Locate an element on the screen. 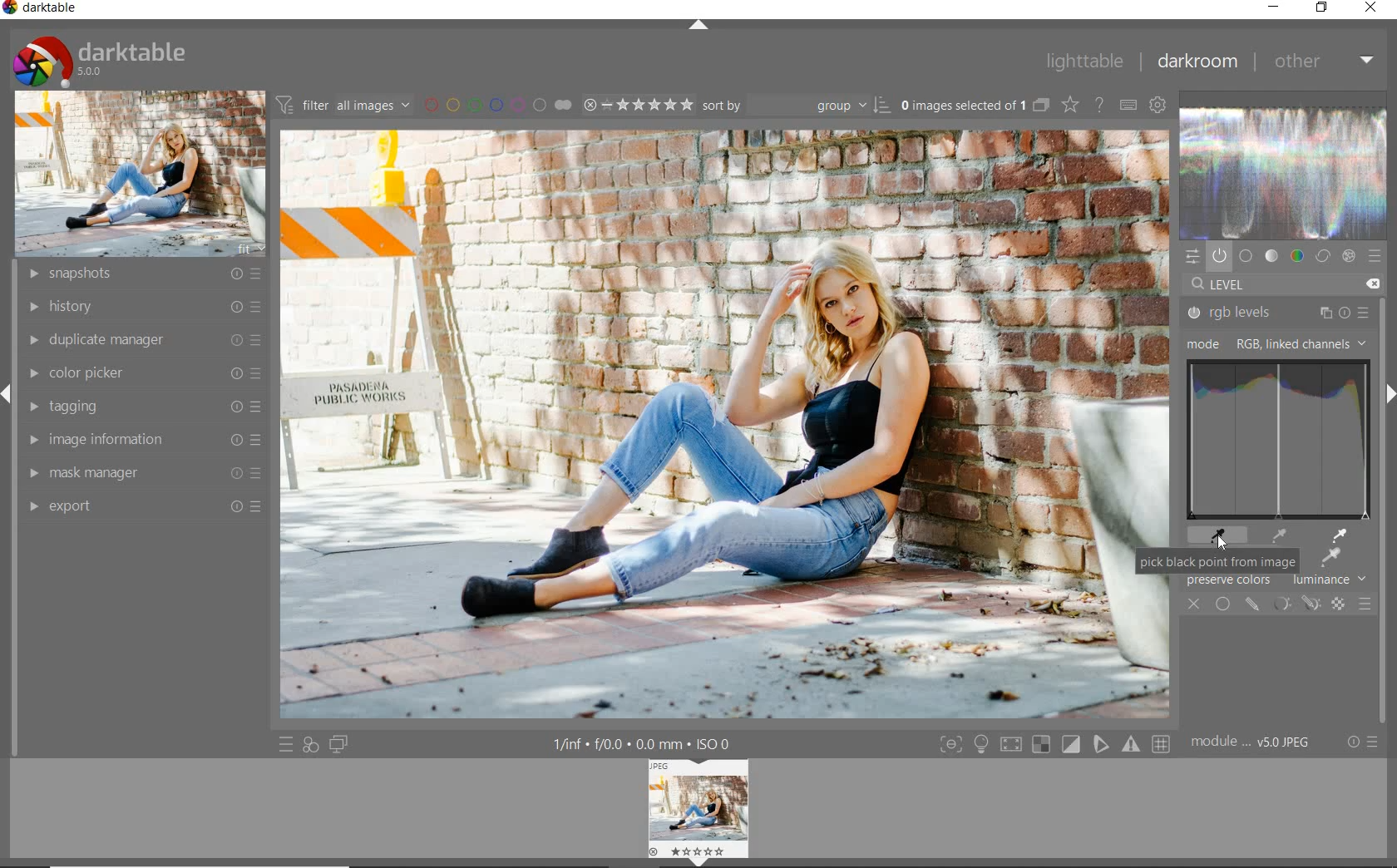  image is located at coordinates (141, 174).